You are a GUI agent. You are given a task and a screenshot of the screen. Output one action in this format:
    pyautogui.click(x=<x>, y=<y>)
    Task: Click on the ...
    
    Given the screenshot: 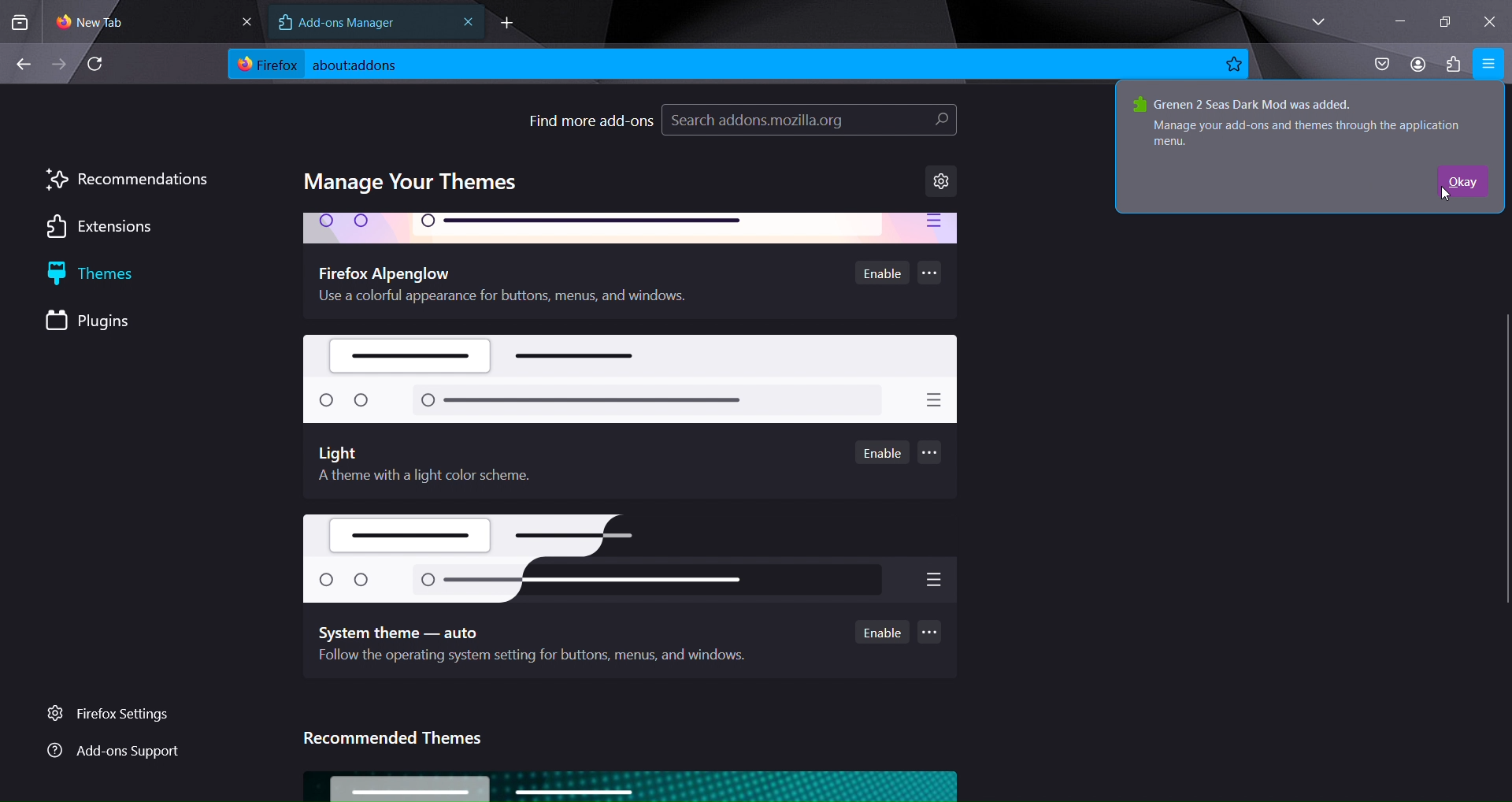 What is the action you would take?
    pyautogui.click(x=930, y=454)
    